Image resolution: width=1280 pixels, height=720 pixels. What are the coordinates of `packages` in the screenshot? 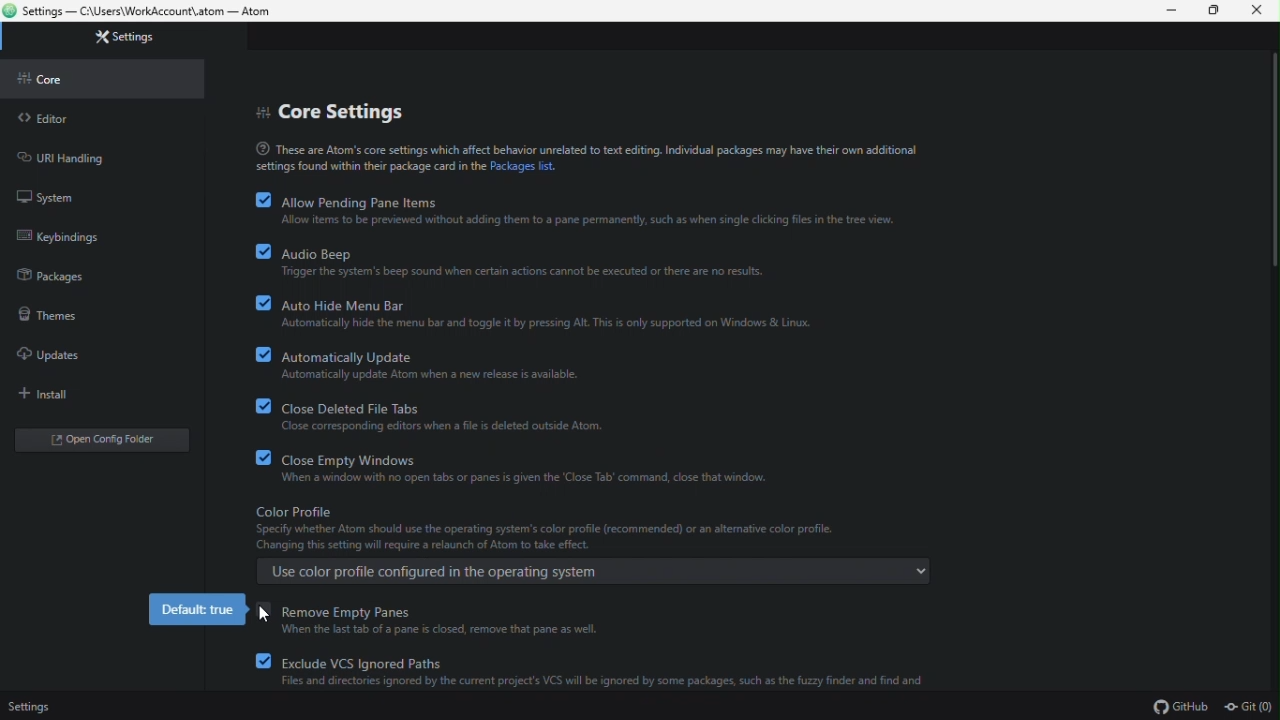 It's located at (54, 272).